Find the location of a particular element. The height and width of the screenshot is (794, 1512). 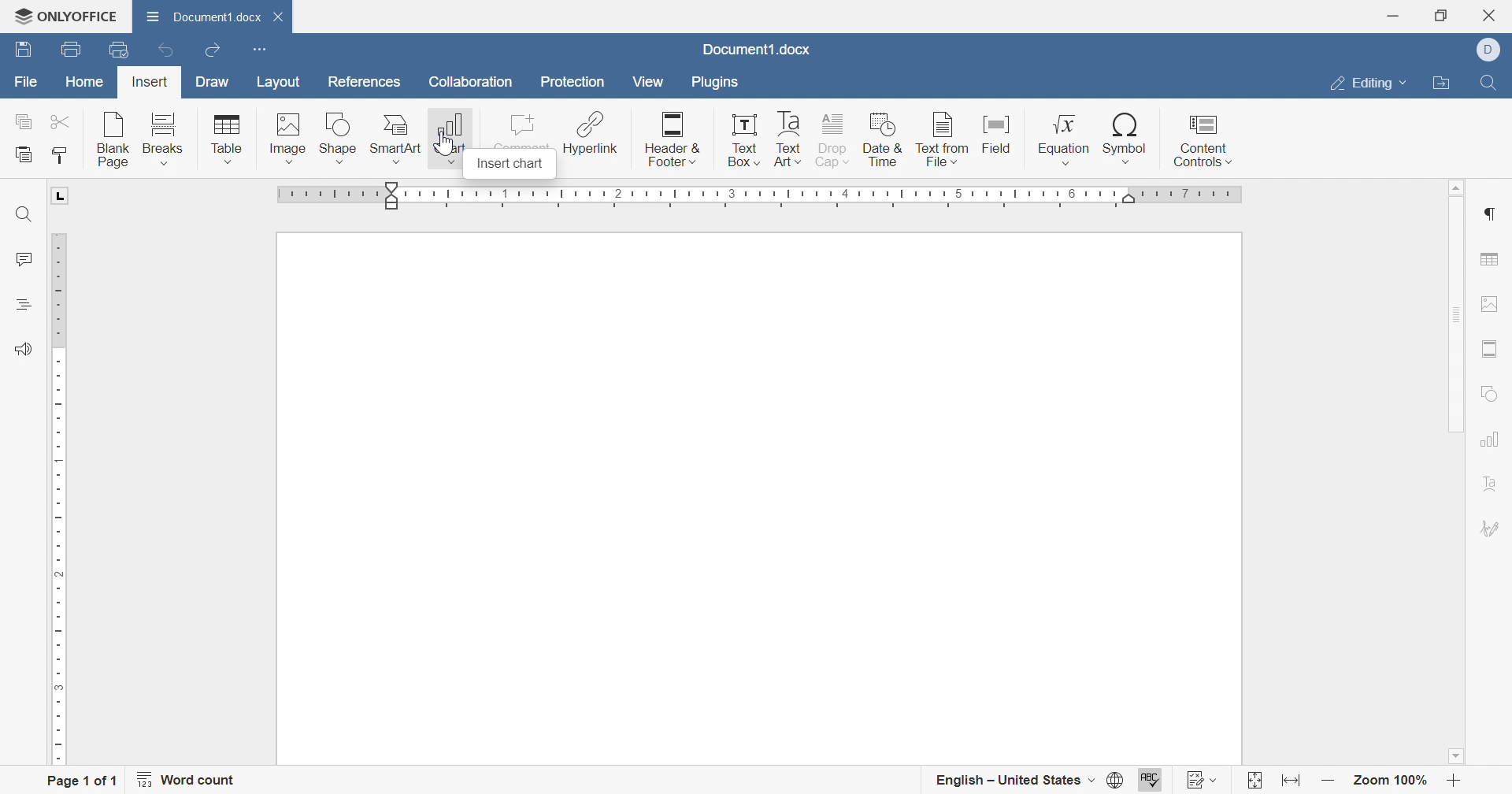

Page 1 of 1 is located at coordinates (80, 781).